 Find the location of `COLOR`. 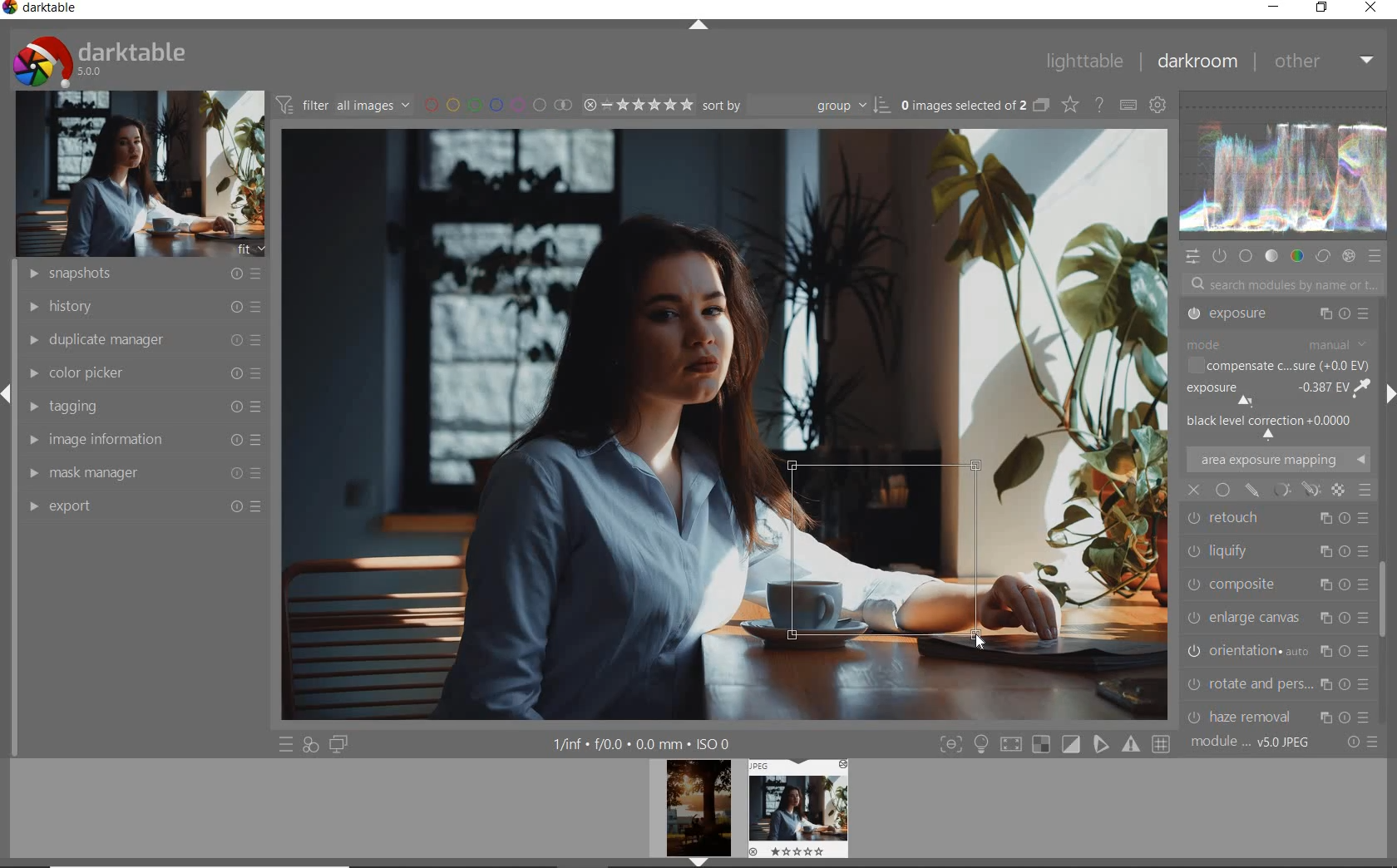

COLOR is located at coordinates (1296, 257).